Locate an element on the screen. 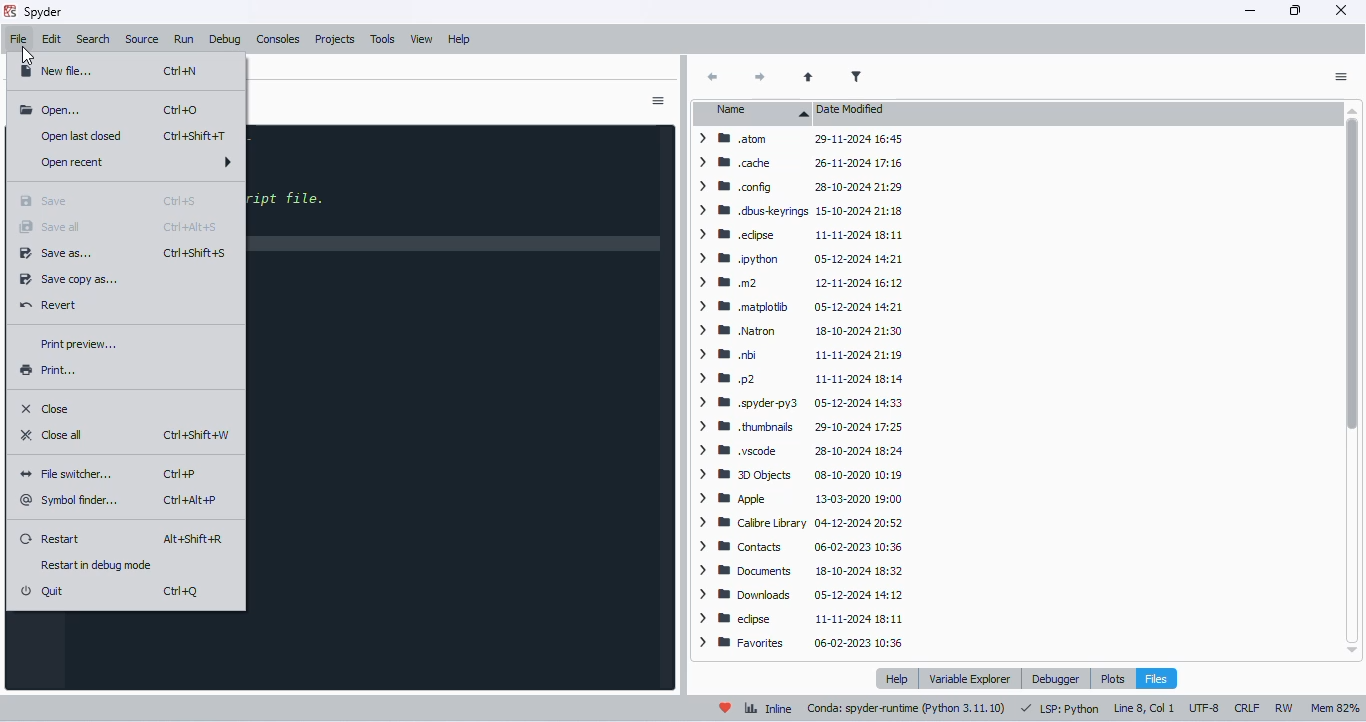 This screenshot has height=722, width=1366. shortcut for quit is located at coordinates (181, 593).